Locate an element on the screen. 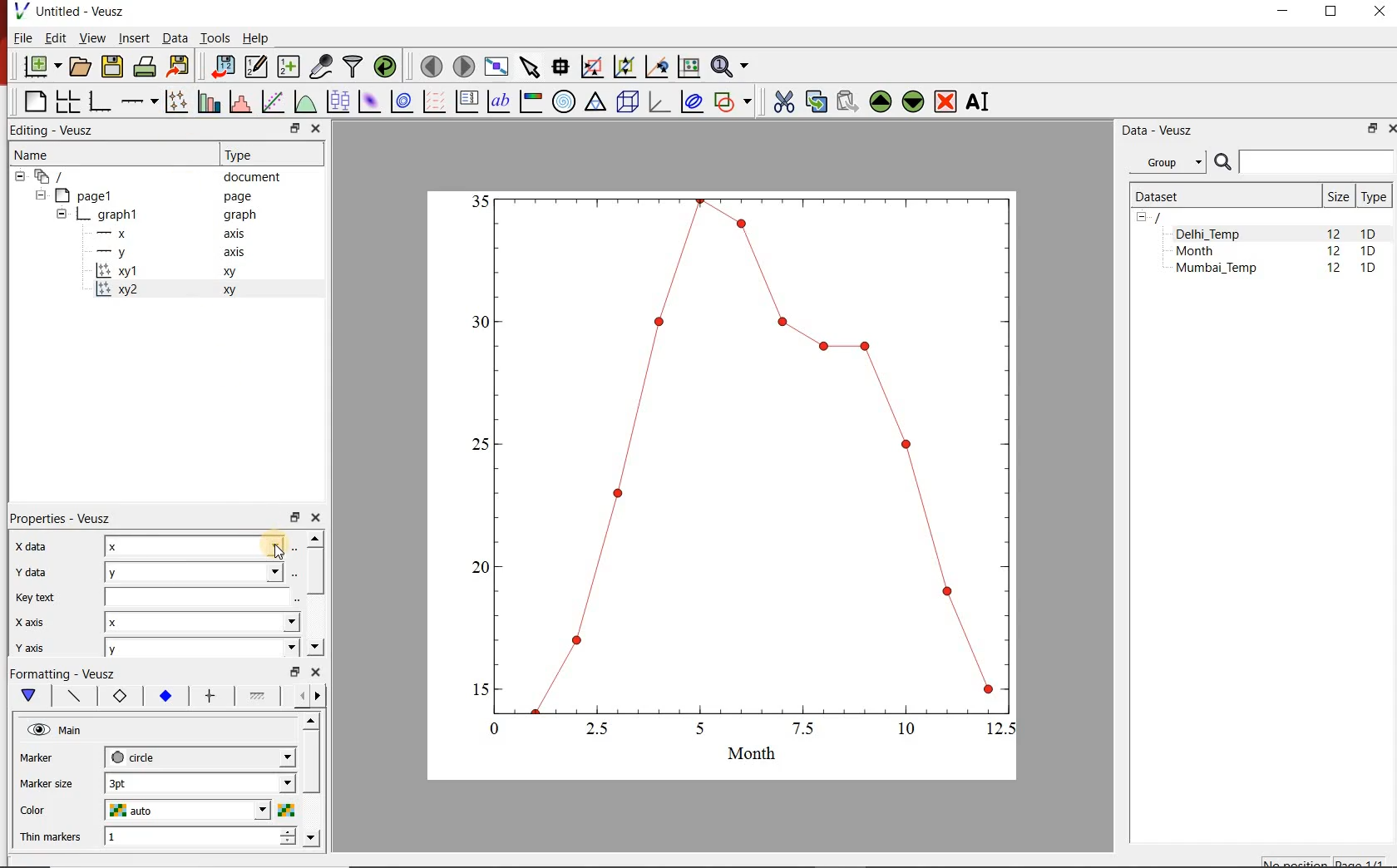 This screenshot has height=868, width=1397. click to zoom out of graph axes is located at coordinates (624, 67).